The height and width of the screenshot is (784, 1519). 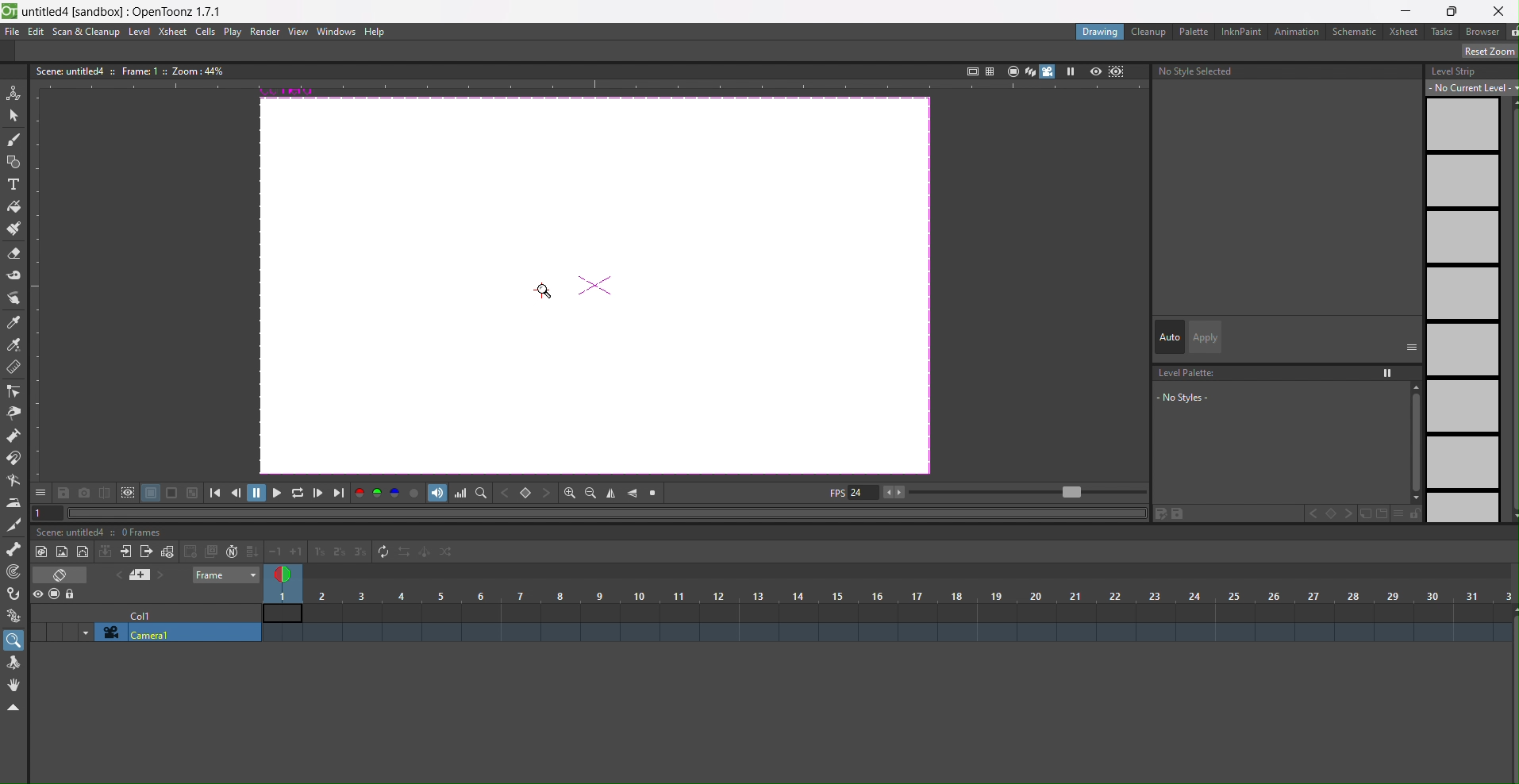 I want to click on render, so click(x=266, y=33).